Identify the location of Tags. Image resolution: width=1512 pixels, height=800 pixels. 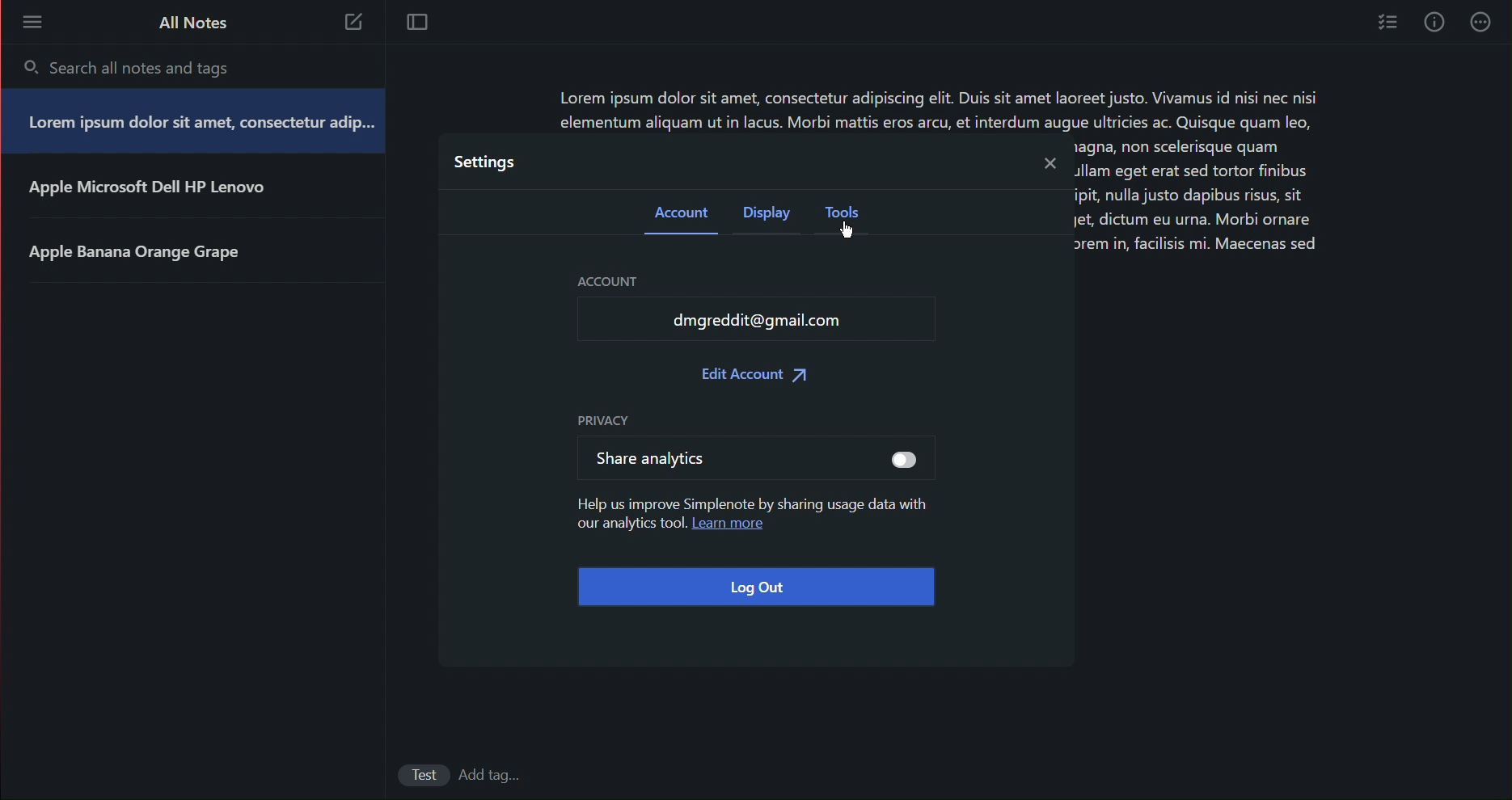
(496, 773).